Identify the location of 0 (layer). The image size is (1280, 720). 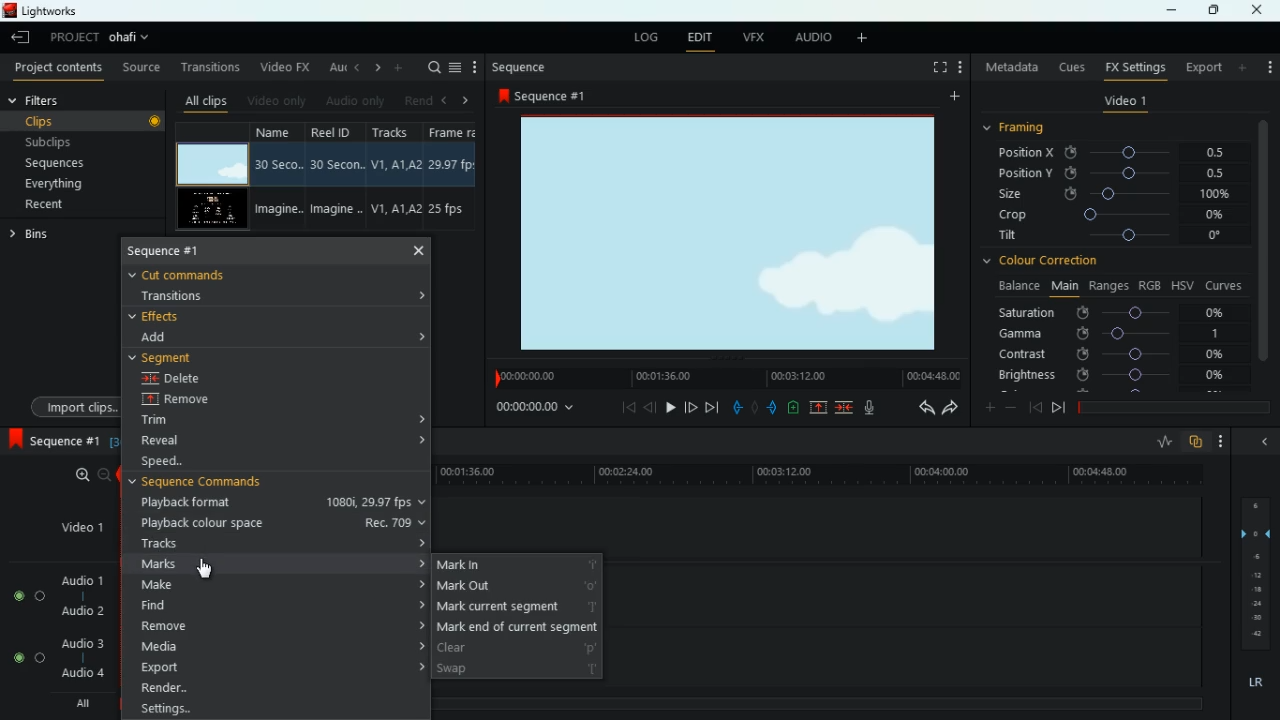
(1252, 531).